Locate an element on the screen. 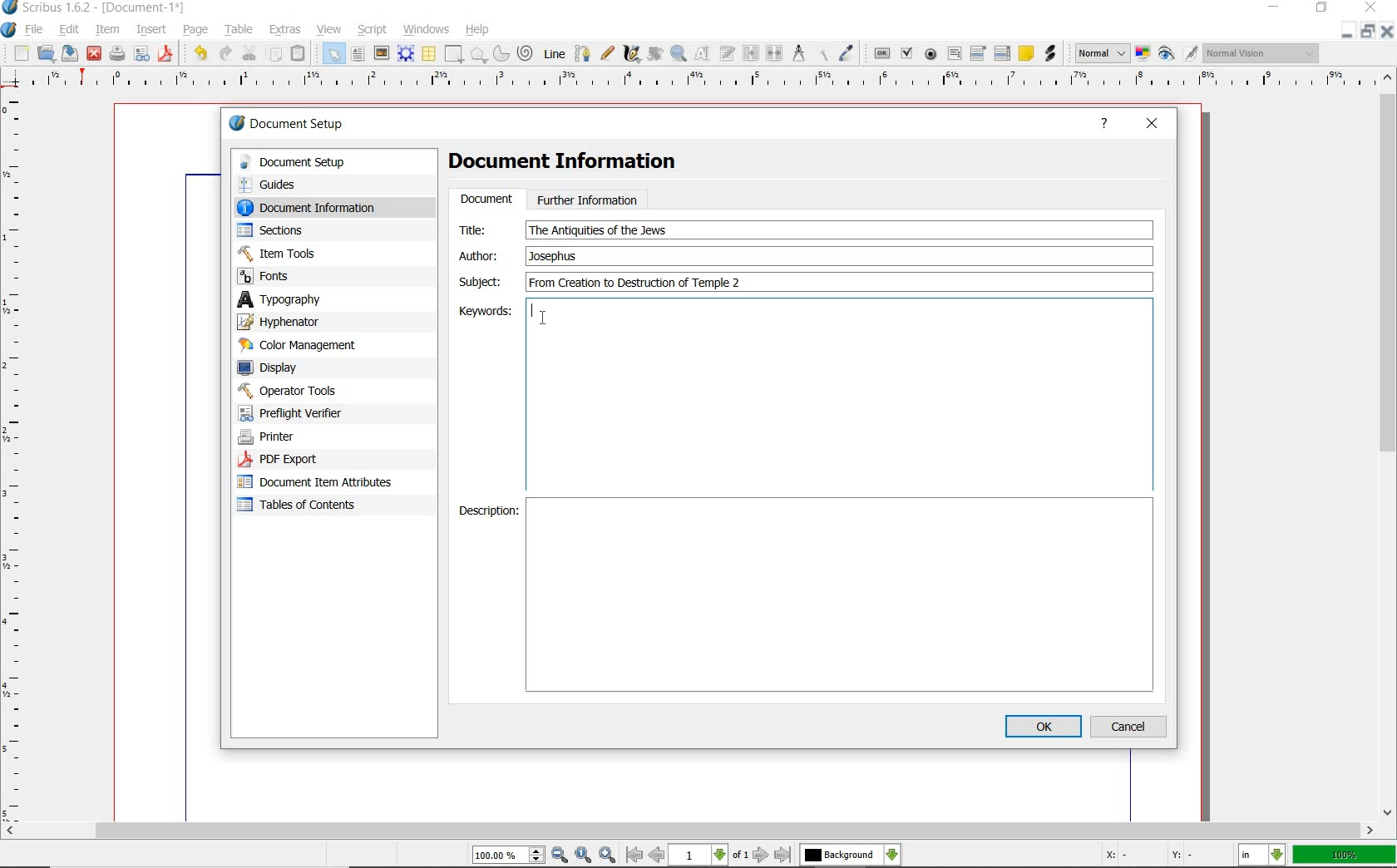  close is located at coordinates (1153, 125).